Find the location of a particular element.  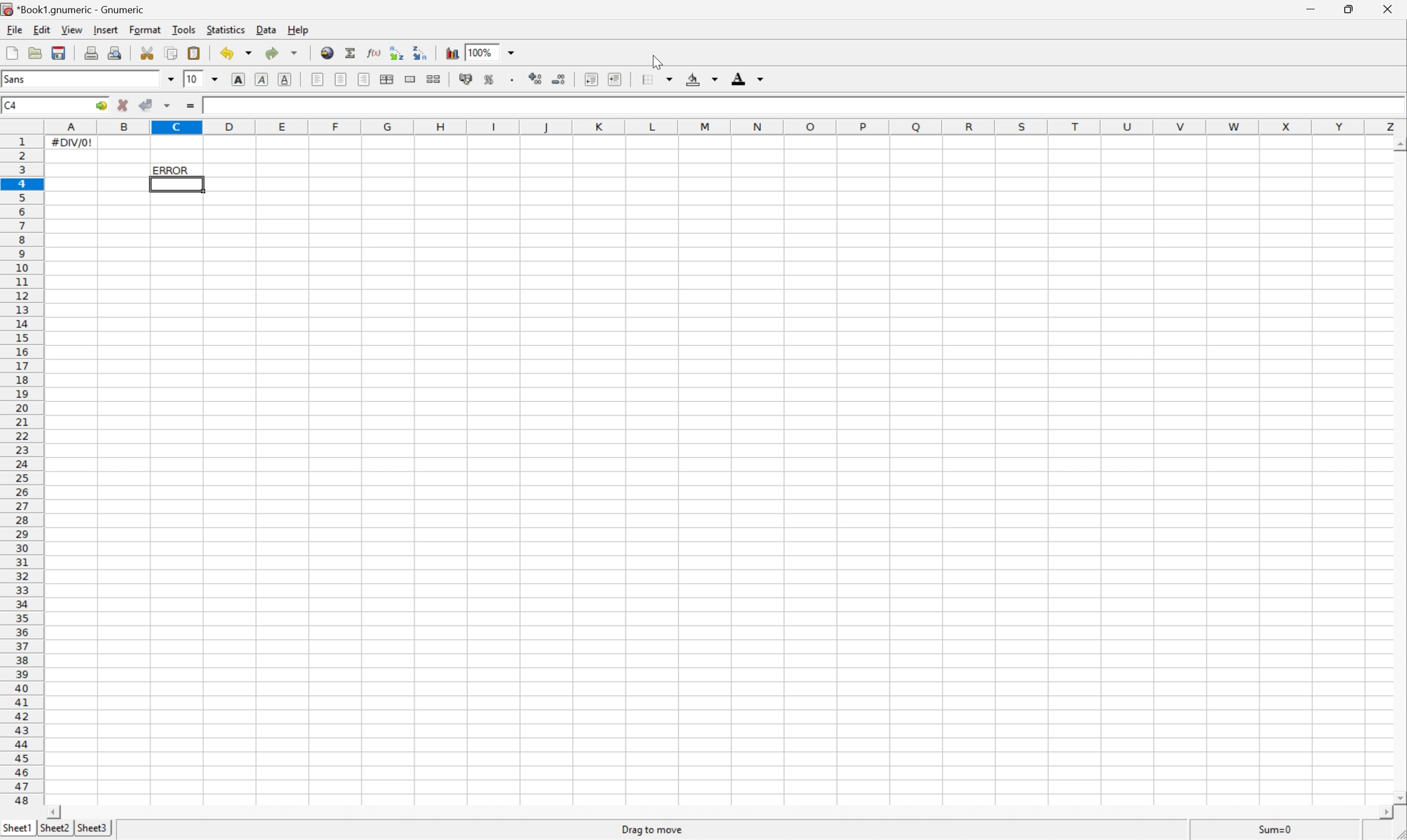

Merge a range of cells is located at coordinates (412, 79).